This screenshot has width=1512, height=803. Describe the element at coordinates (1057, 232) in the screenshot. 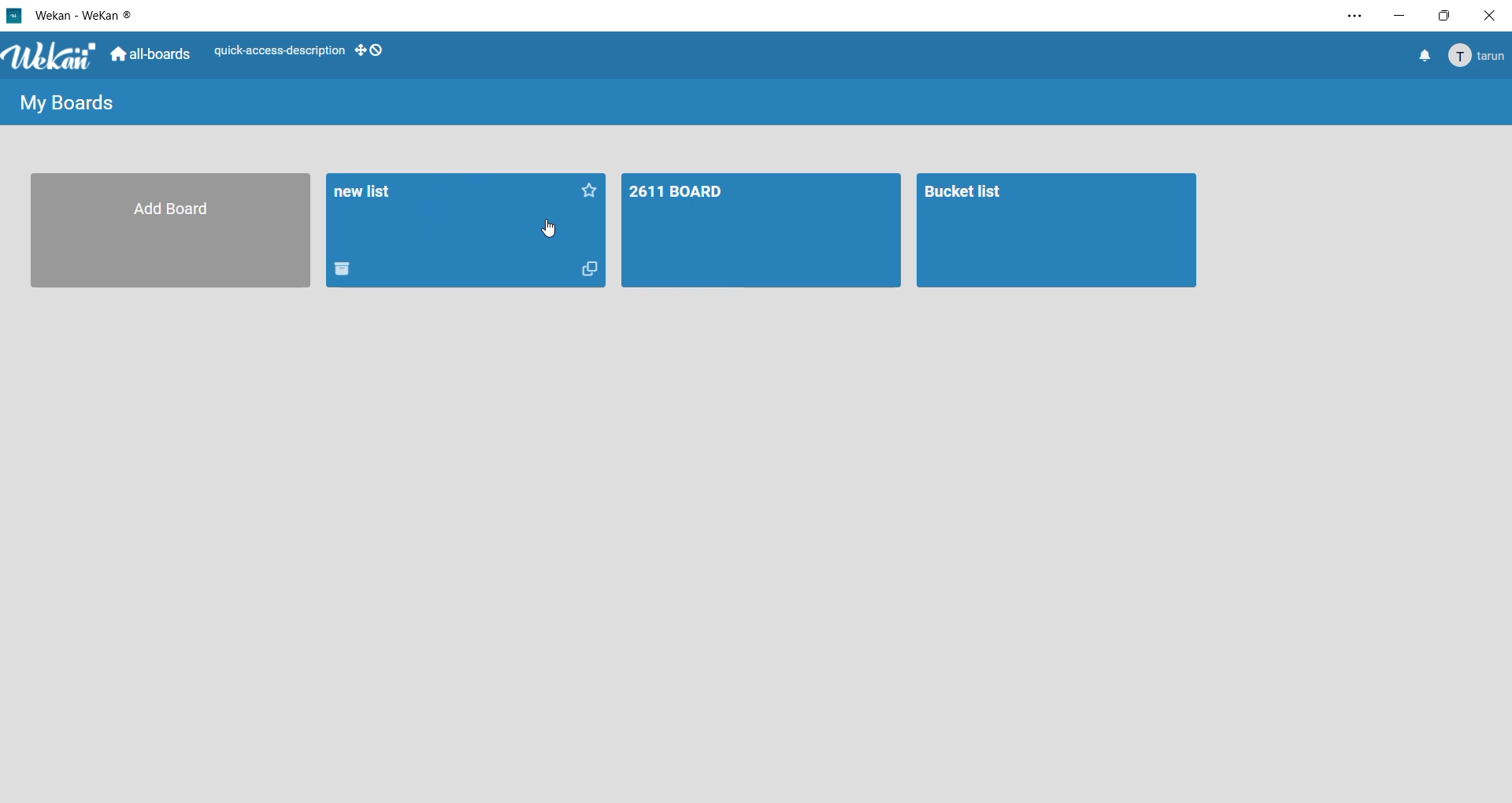

I see `board 2` at that location.